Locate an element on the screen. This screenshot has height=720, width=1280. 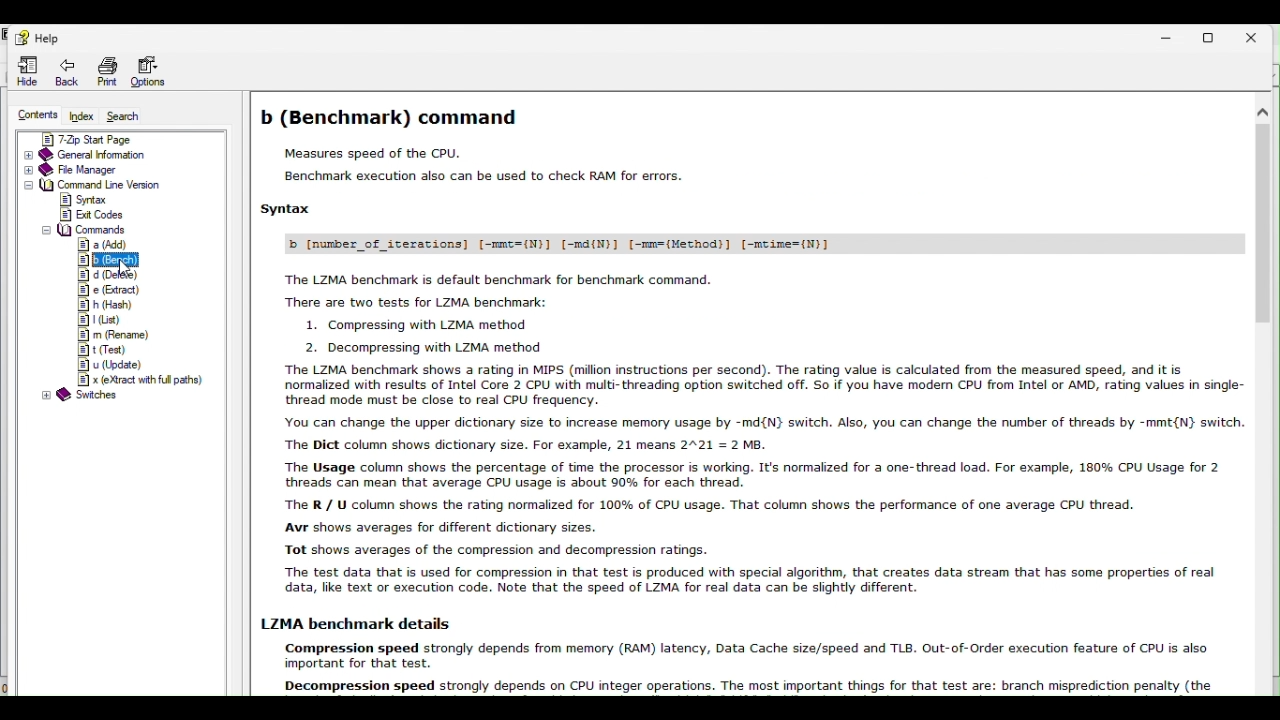
cursor is located at coordinates (127, 268).